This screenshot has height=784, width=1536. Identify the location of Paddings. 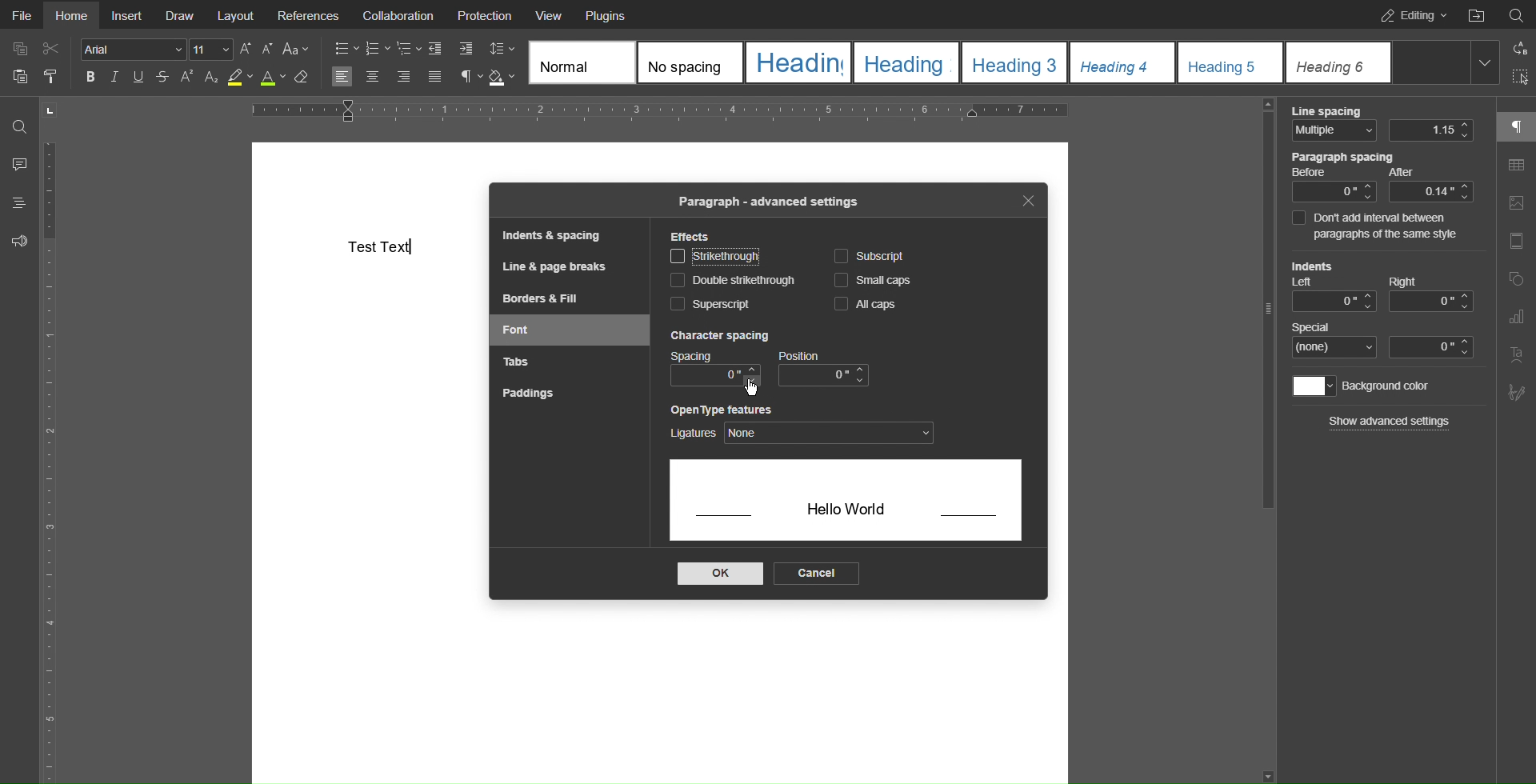
(526, 393).